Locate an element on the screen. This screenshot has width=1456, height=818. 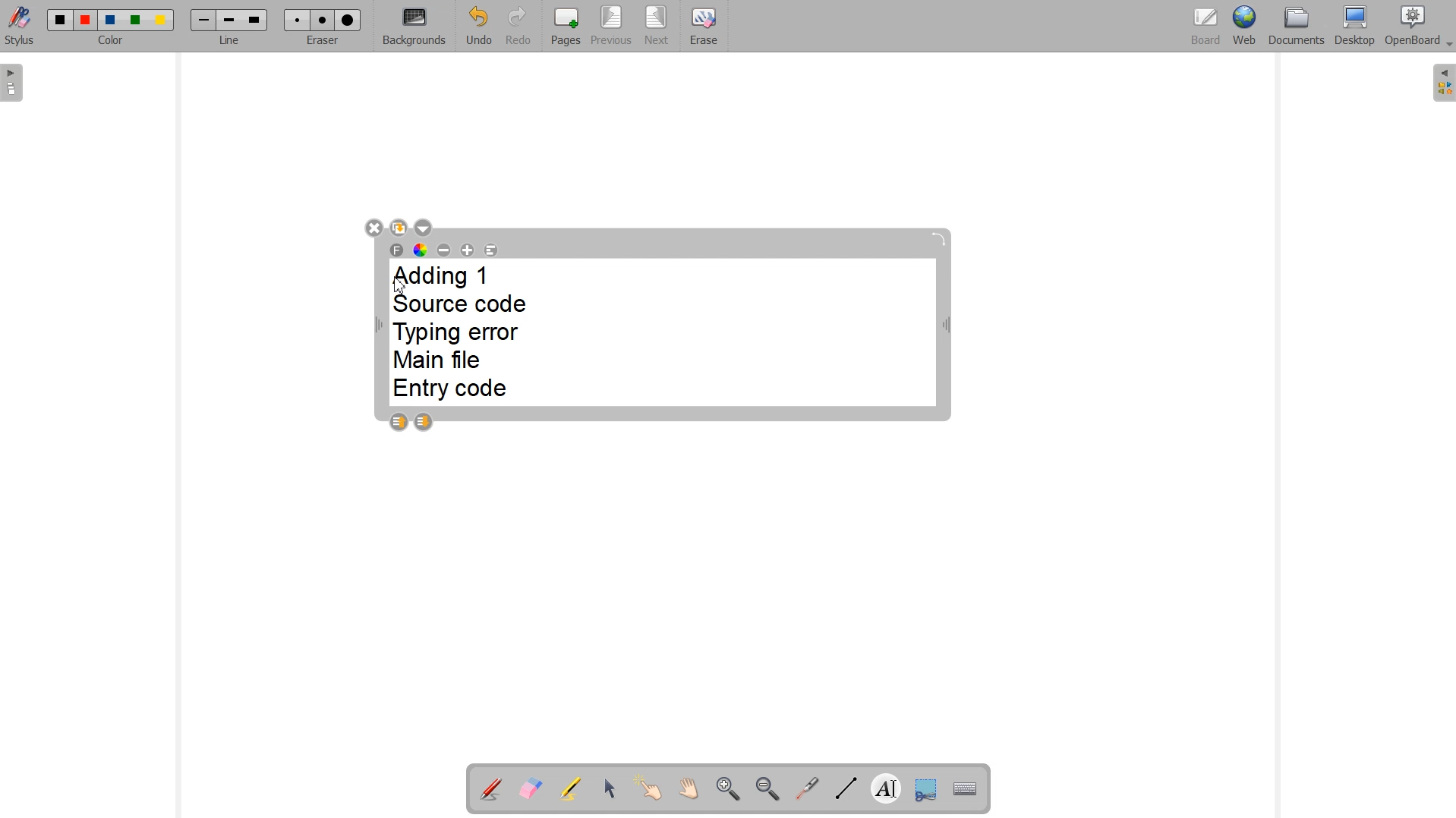
Web is located at coordinates (1244, 27).